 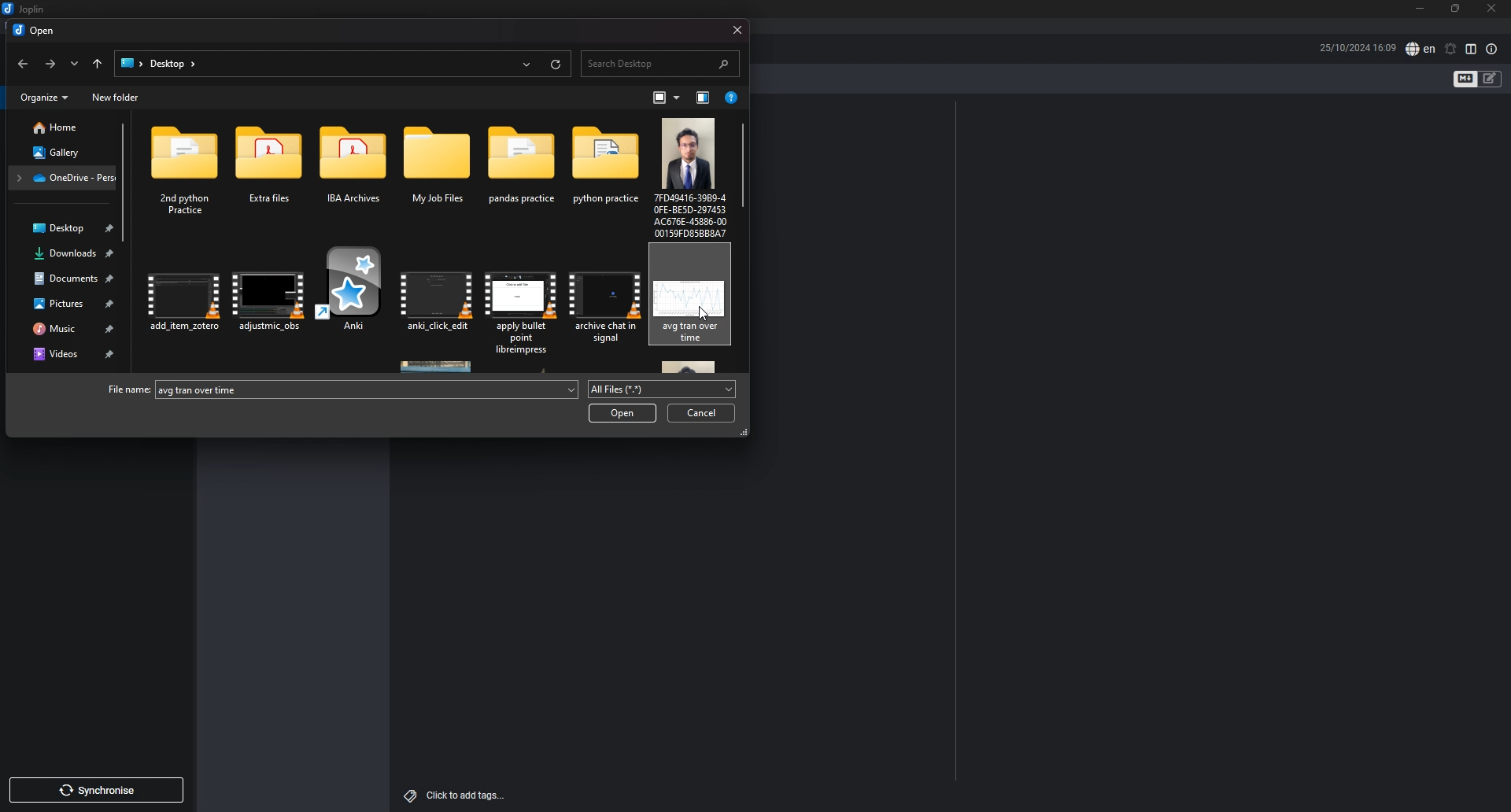 I want to click on joplin, so click(x=26, y=9).